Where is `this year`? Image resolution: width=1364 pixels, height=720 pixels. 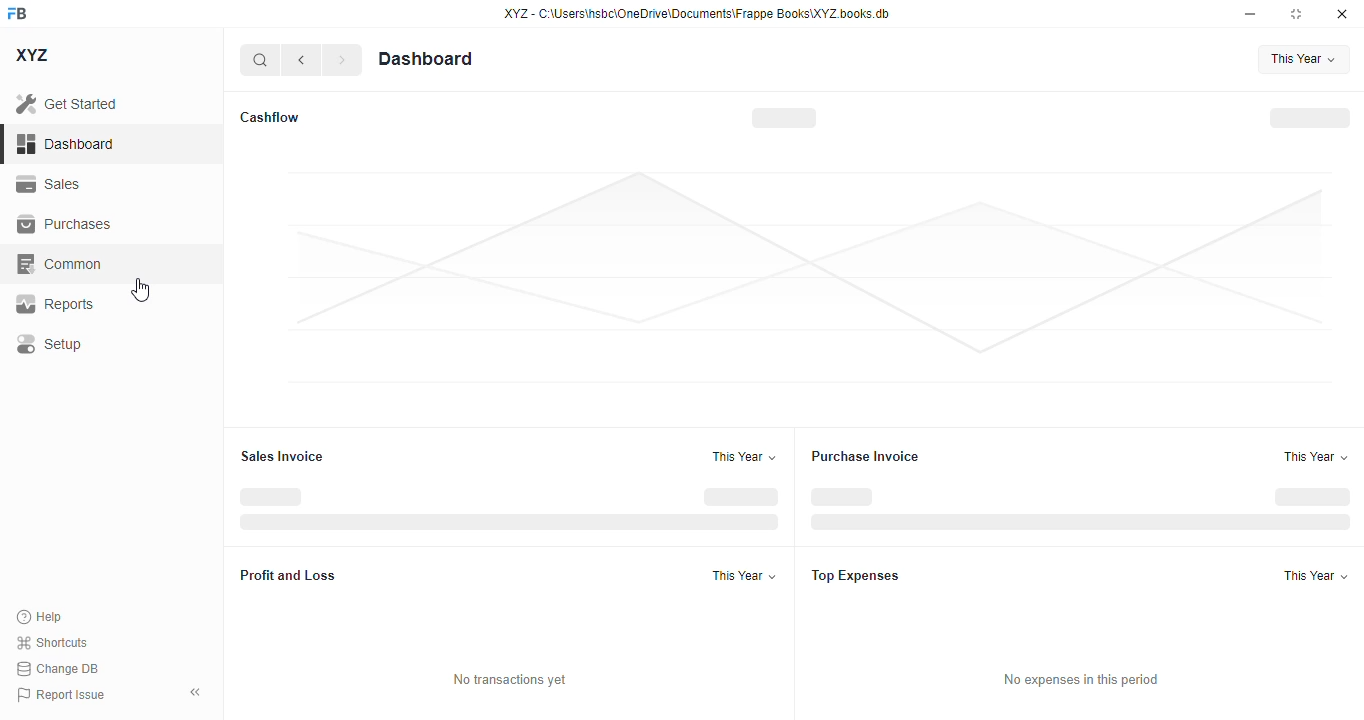 this year is located at coordinates (744, 575).